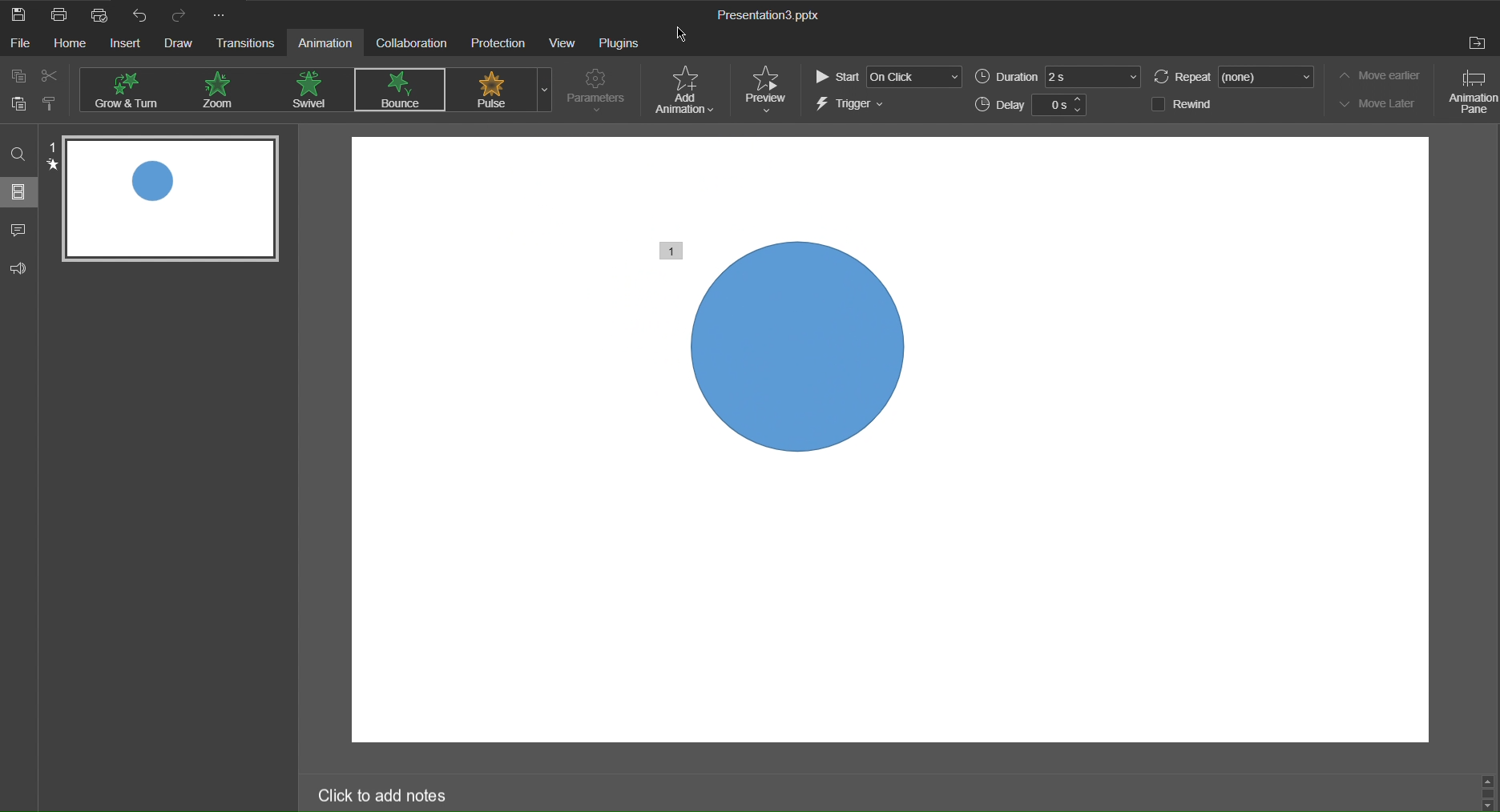 The width and height of the screenshot is (1500, 812). What do you see at coordinates (1006, 77) in the screenshot?
I see `Duration:` at bounding box center [1006, 77].